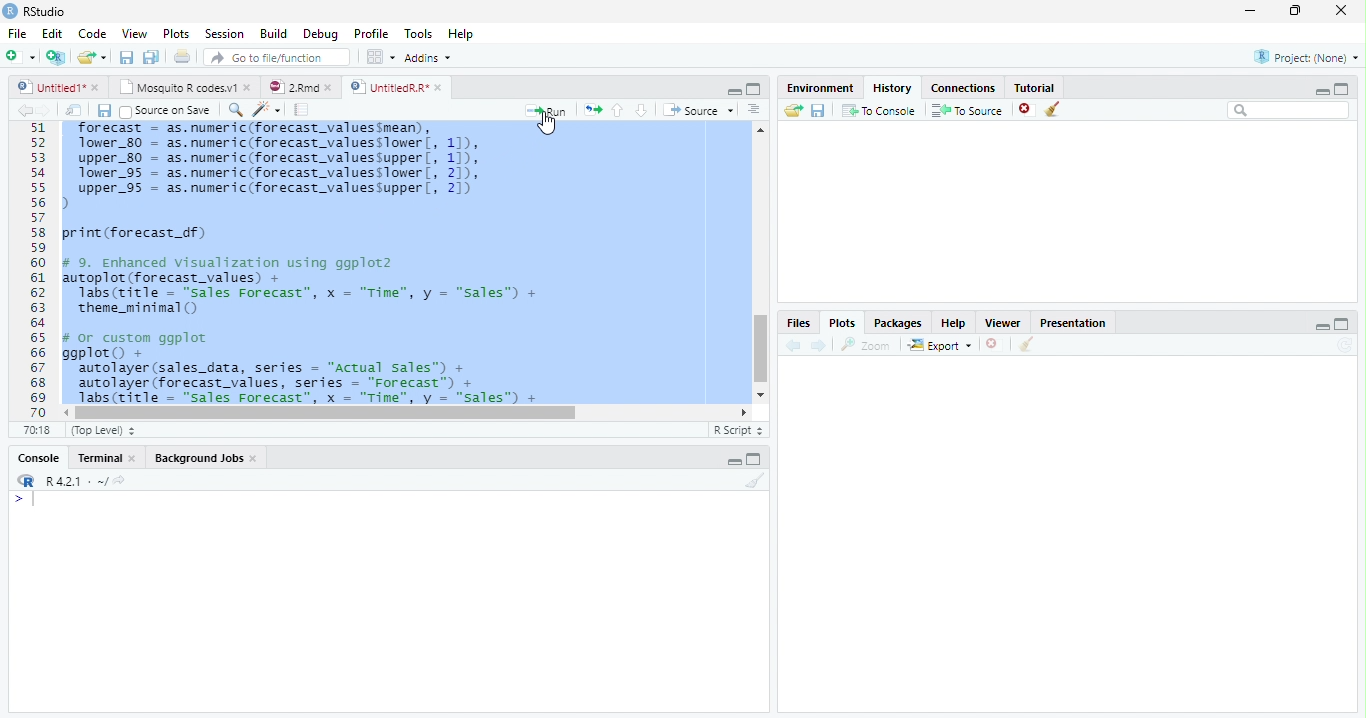  I want to click on R, so click(26, 481).